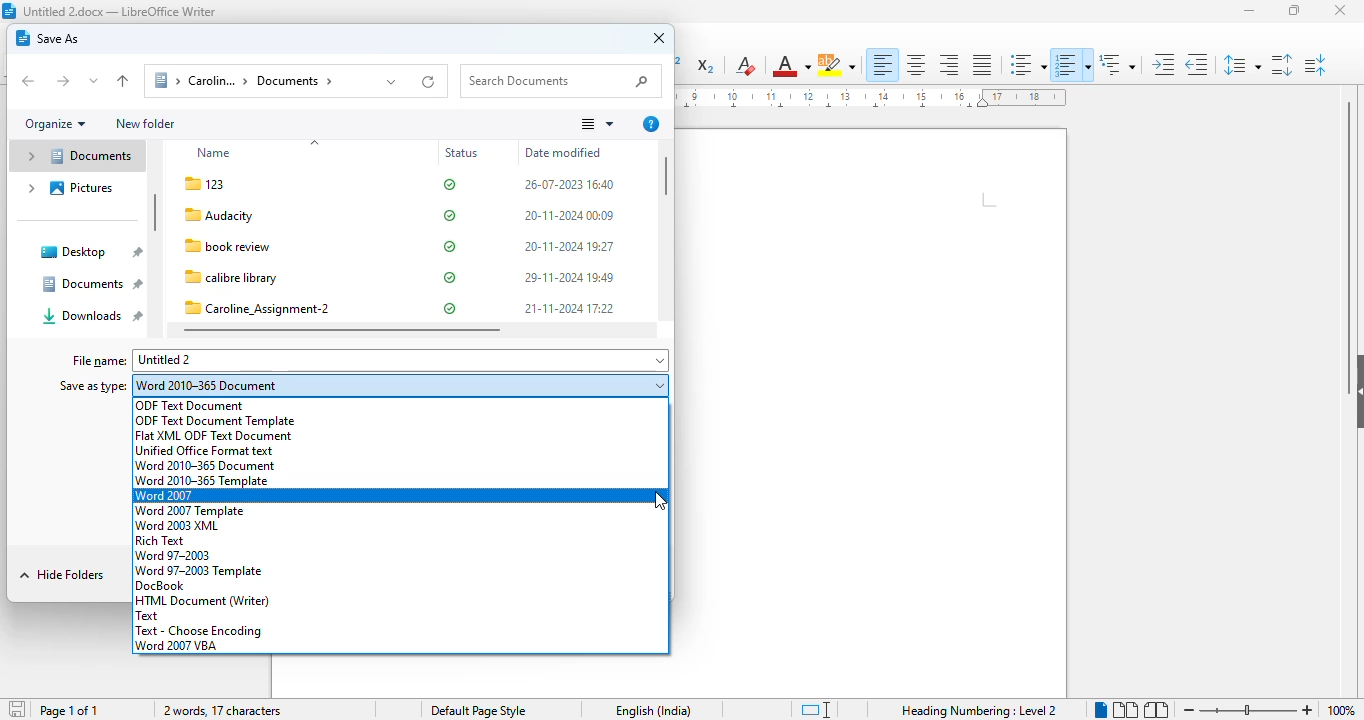  I want to click on word 2010-365 document, so click(207, 465).